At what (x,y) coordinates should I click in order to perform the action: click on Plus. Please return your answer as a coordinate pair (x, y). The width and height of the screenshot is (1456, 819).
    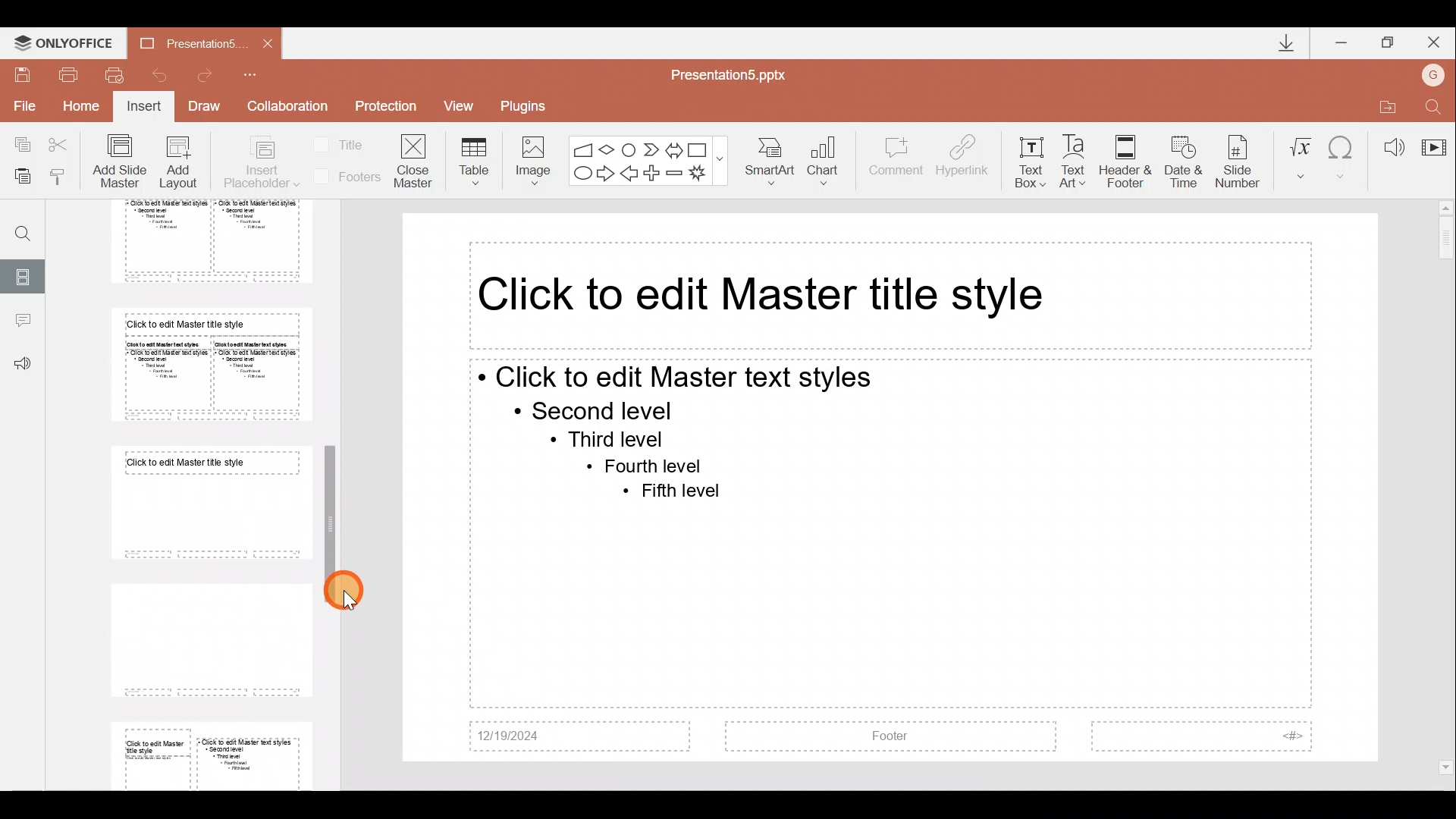
    Looking at the image, I should click on (654, 171).